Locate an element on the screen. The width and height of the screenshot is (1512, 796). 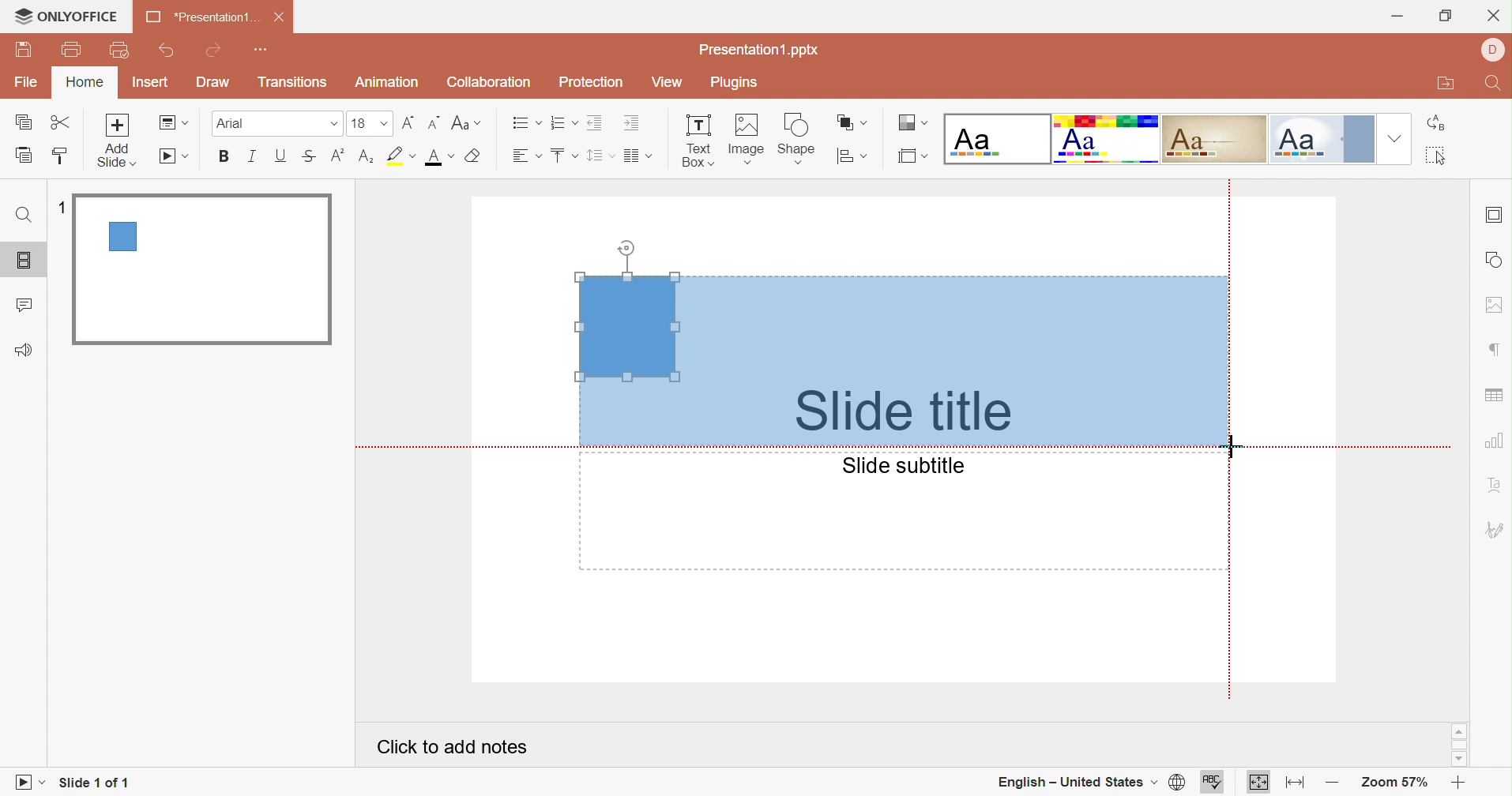
Change slide size is located at coordinates (912, 156).